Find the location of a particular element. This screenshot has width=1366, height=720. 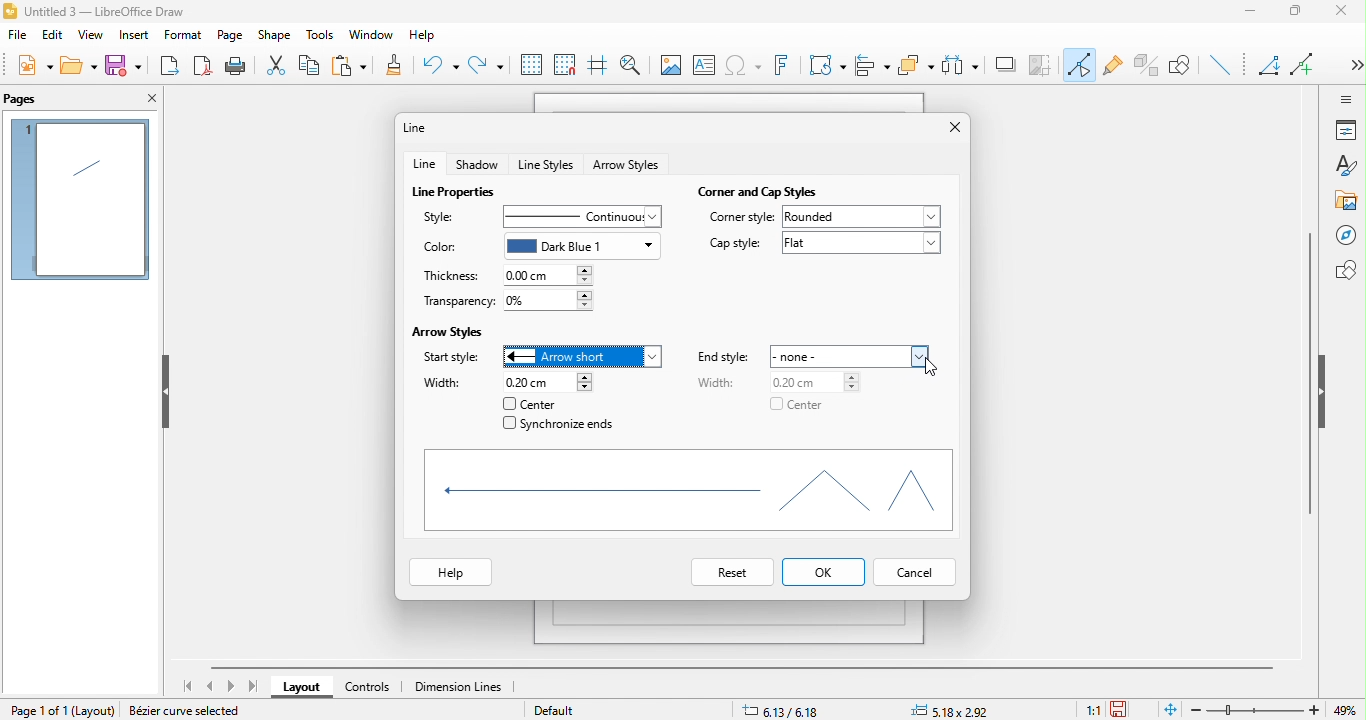

undo is located at coordinates (441, 67).